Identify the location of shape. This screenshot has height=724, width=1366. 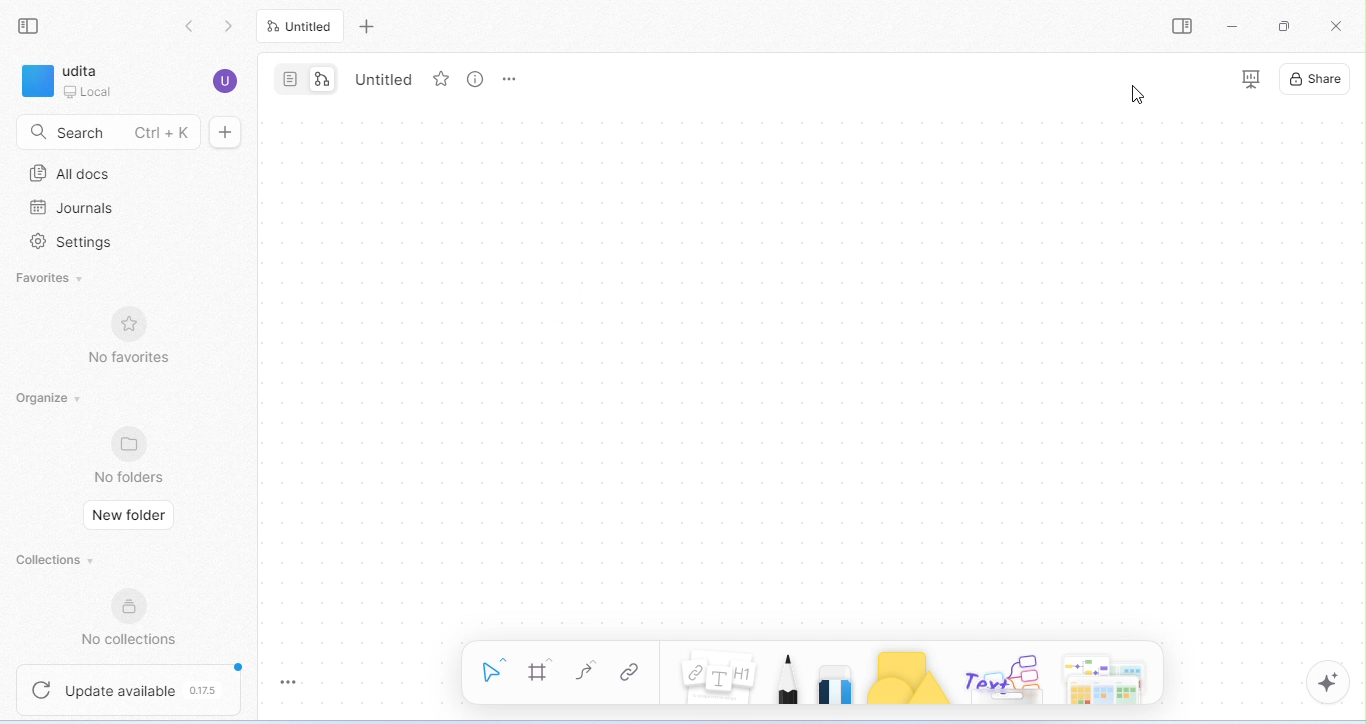
(914, 677).